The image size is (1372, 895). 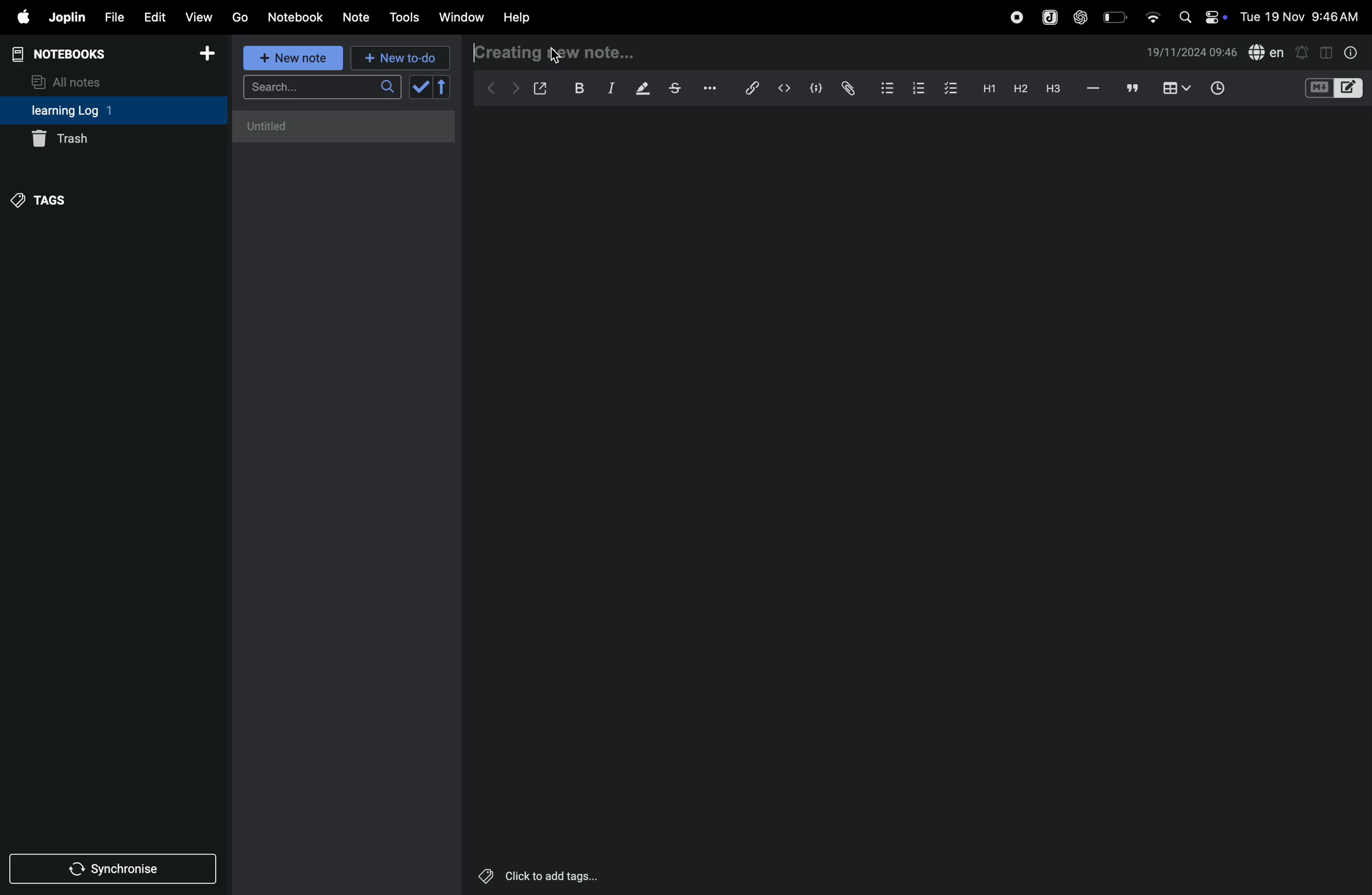 I want to click on search, so click(x=322, y=91).